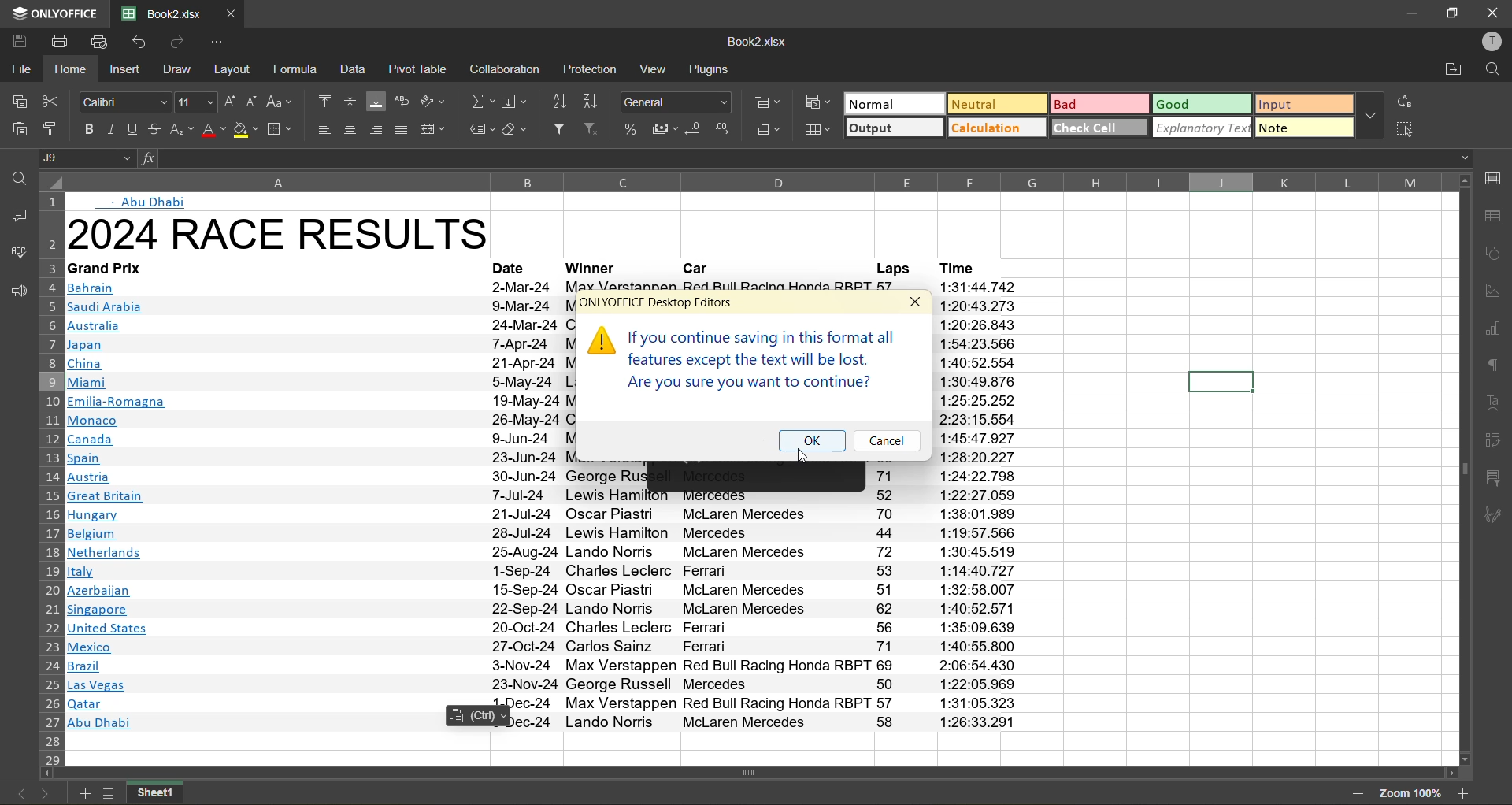 This screenshot has width=1512, height=805. Describe the element at coordinates (552, 684) in the screenshot. I see `text info` at that location.